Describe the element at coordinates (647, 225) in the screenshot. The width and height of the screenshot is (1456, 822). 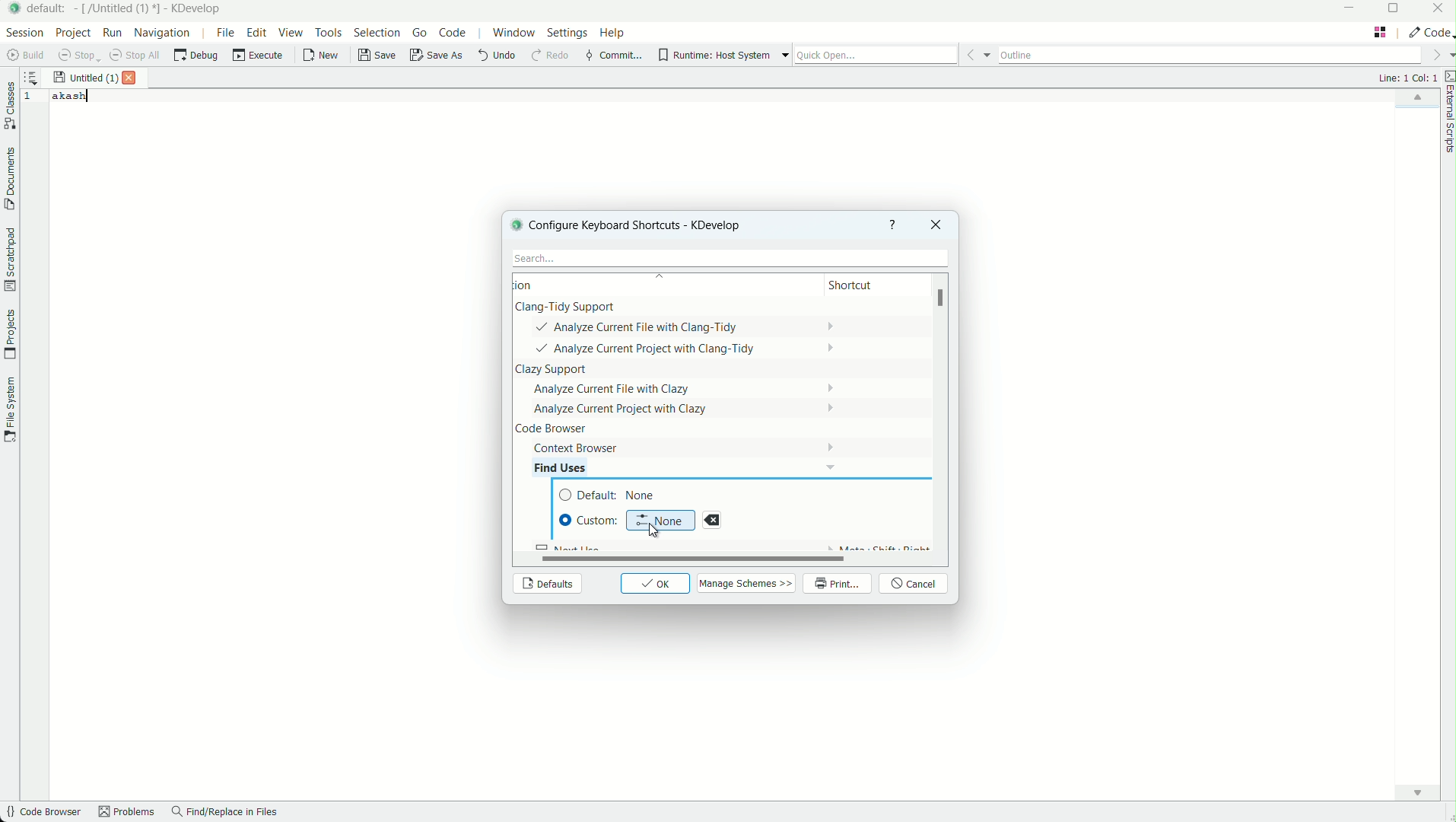
I see `configure keyboard shortcuts` at that location.